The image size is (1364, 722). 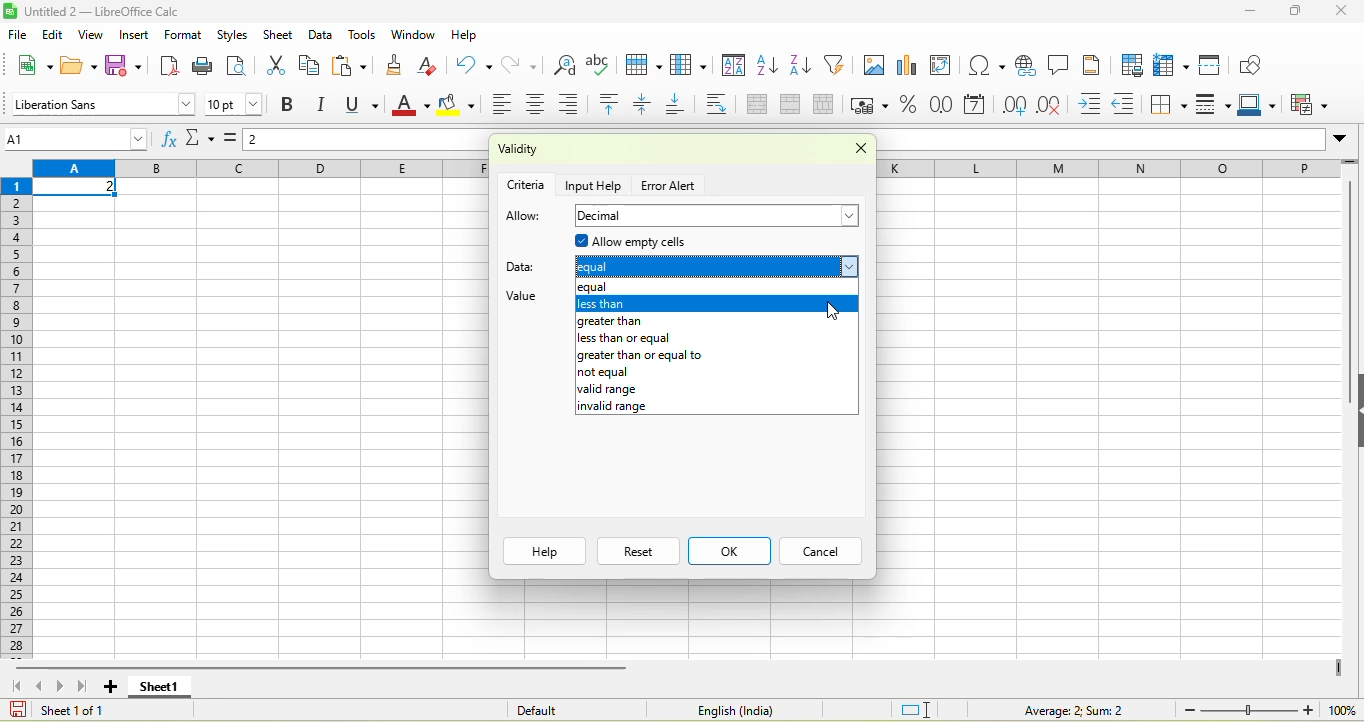 I want to click on undo, so click(x=473, y=64).